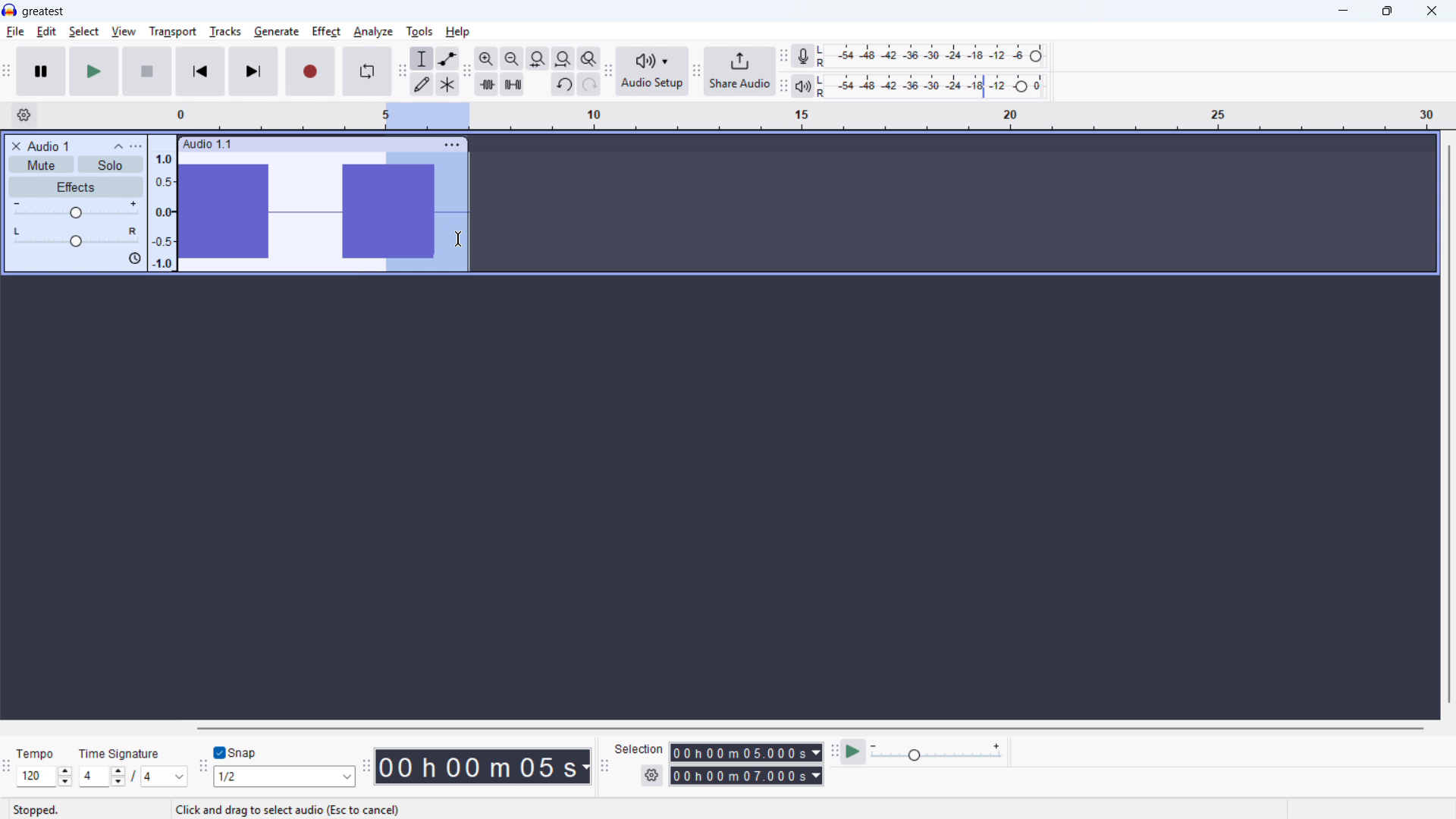 The height and width of the screenshot is (819, 1456). Describe the element at coordinates (204, 769) in the screenshot. I see `Snapping toolbar ` at that location.